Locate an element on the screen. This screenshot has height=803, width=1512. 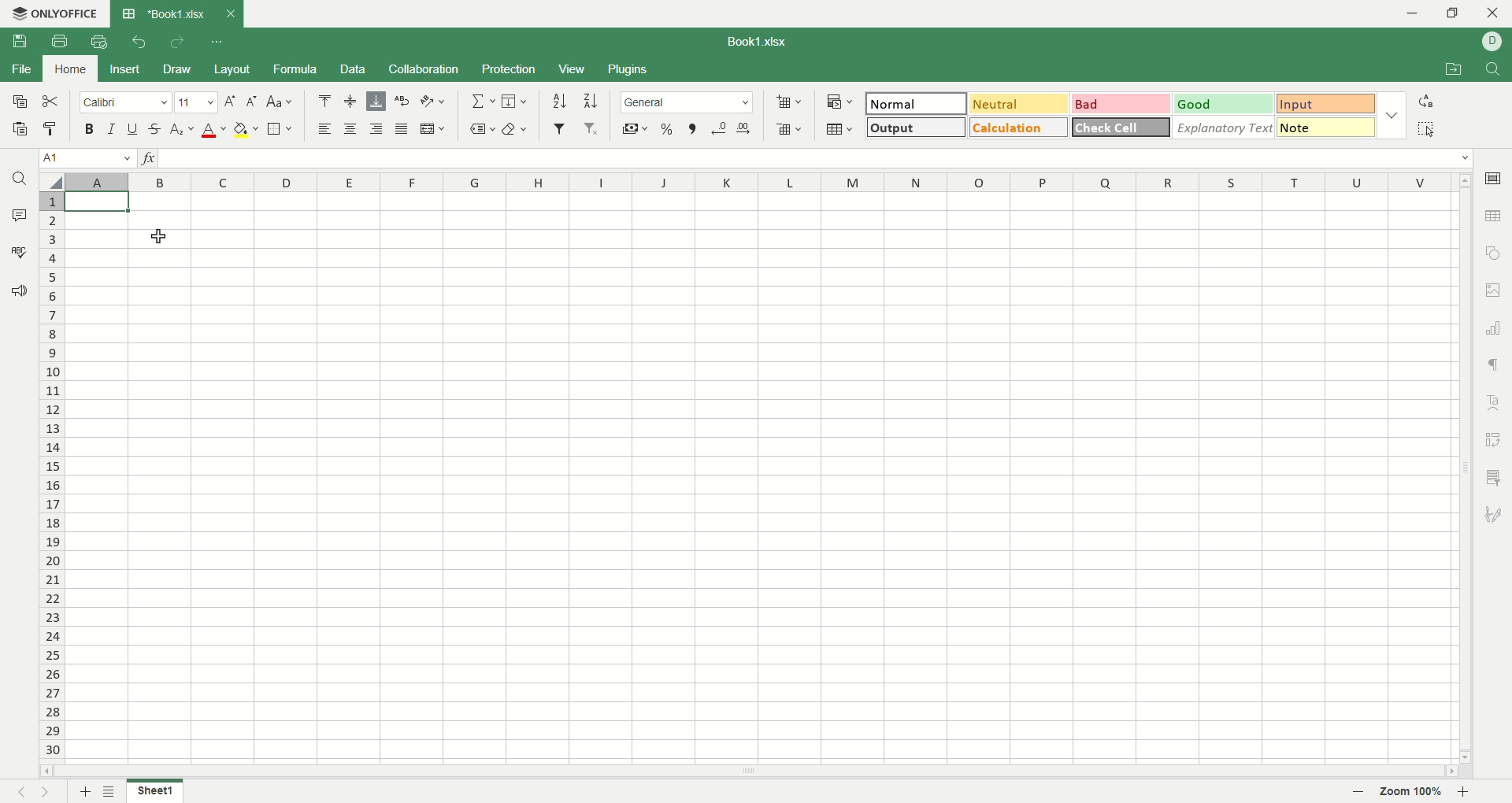
style options is located at coordinates (1393, 115).